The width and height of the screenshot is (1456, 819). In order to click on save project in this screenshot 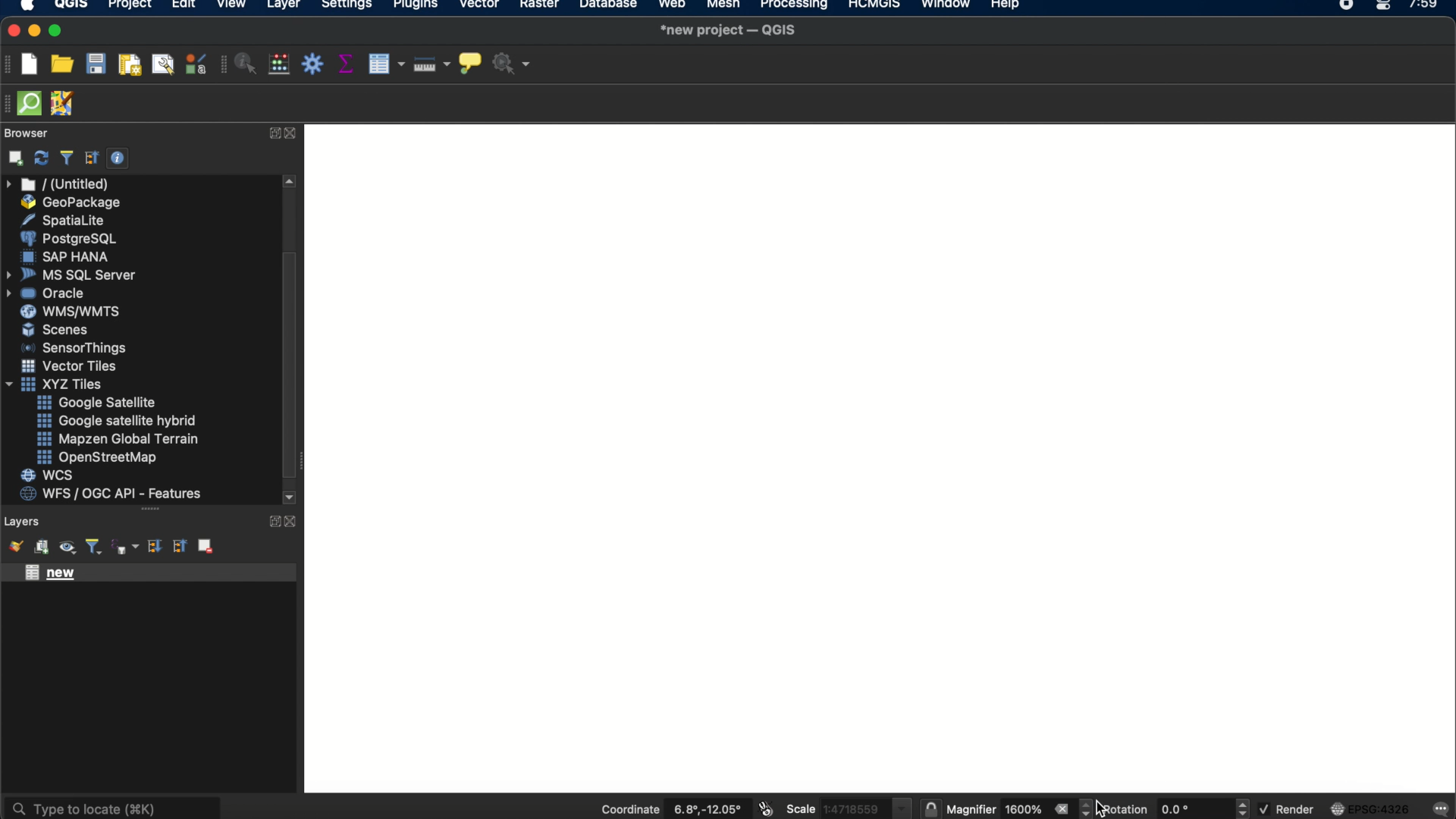, I will do `click(95, 64)`.